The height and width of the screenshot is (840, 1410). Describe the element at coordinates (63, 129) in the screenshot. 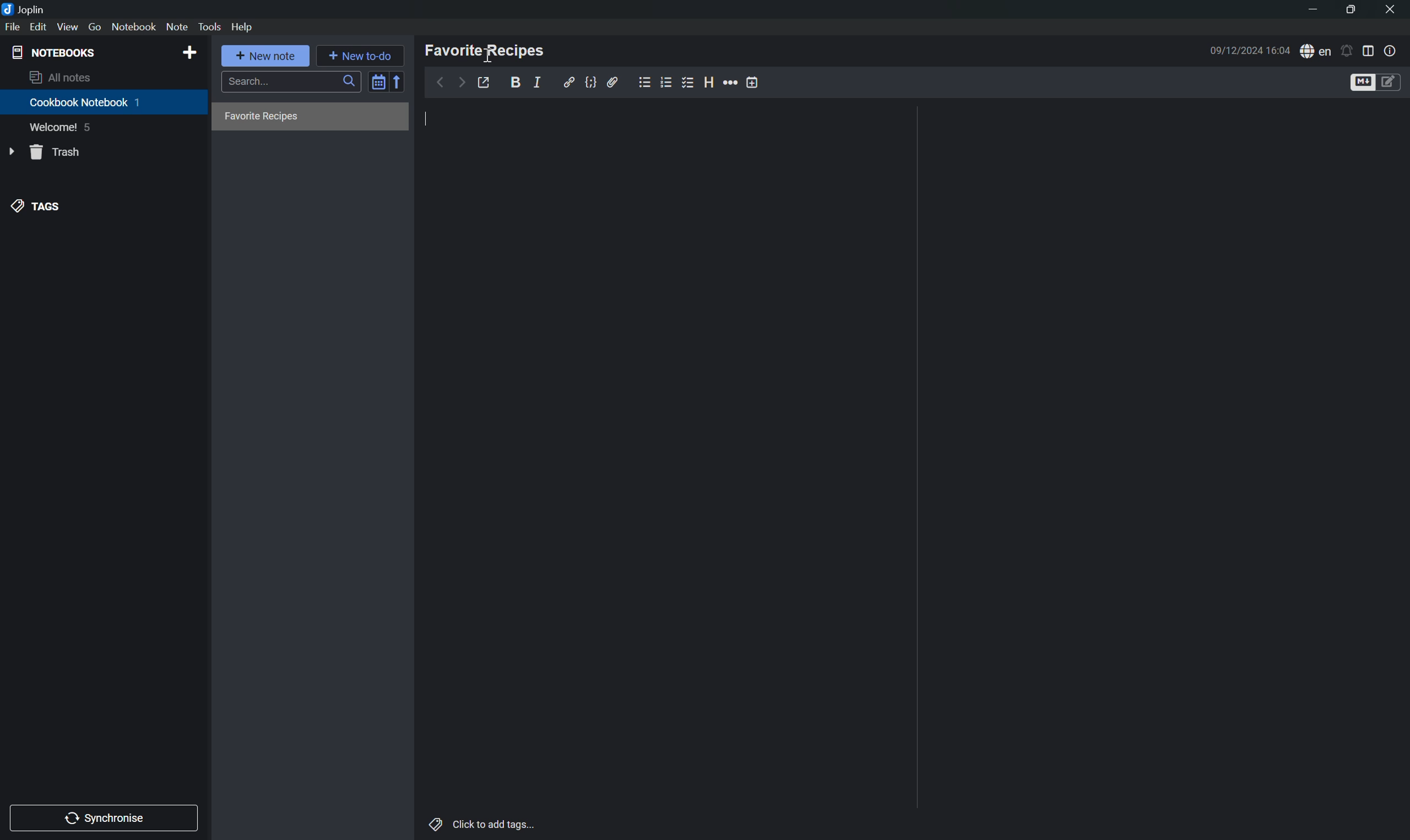

I see `Welcome! 5` at that location.